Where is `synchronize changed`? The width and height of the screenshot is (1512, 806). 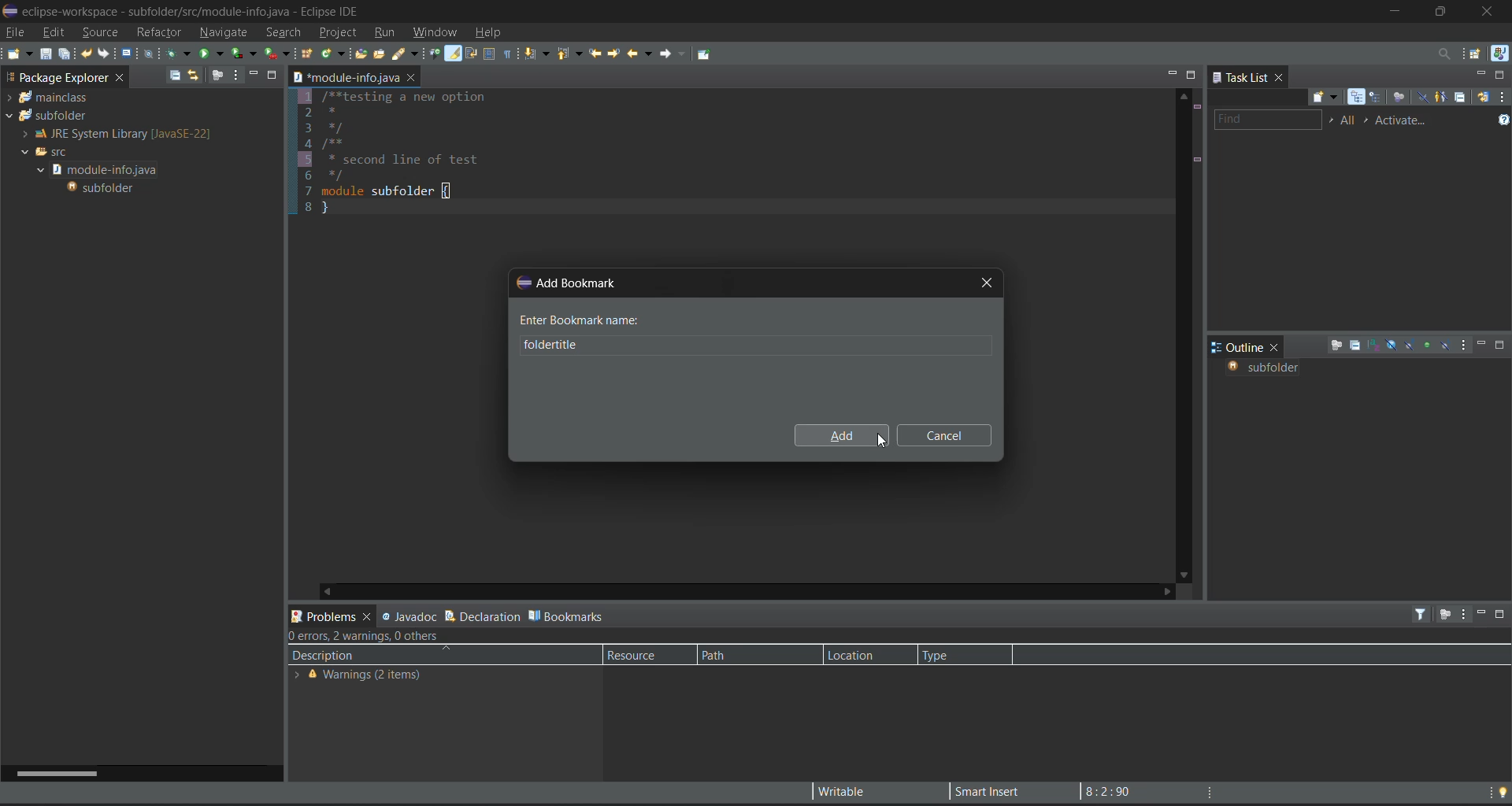 synchronize changed is located at coordinates (1482, 96).